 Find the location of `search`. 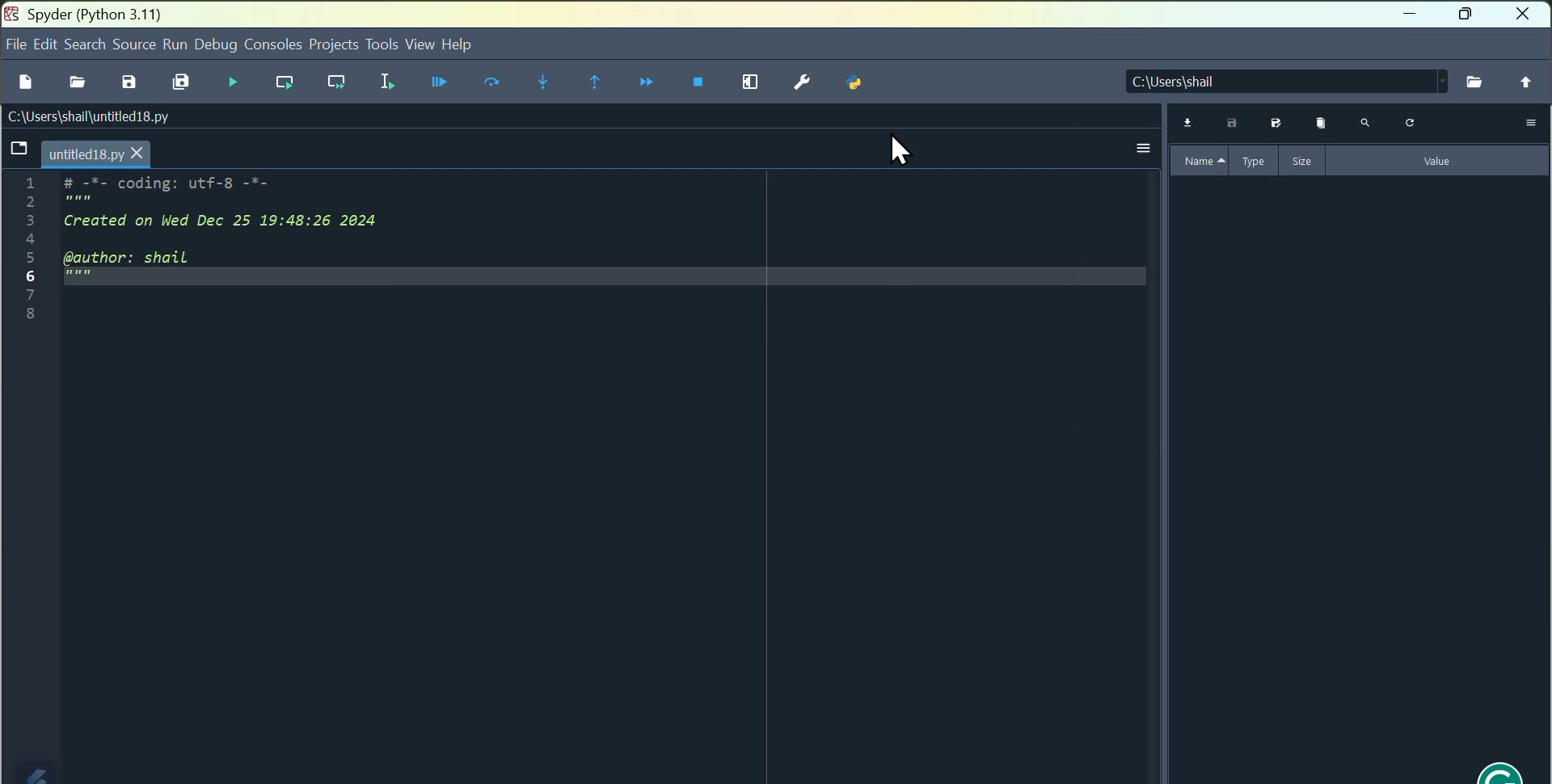

search is located at coordinates (1364, 122).